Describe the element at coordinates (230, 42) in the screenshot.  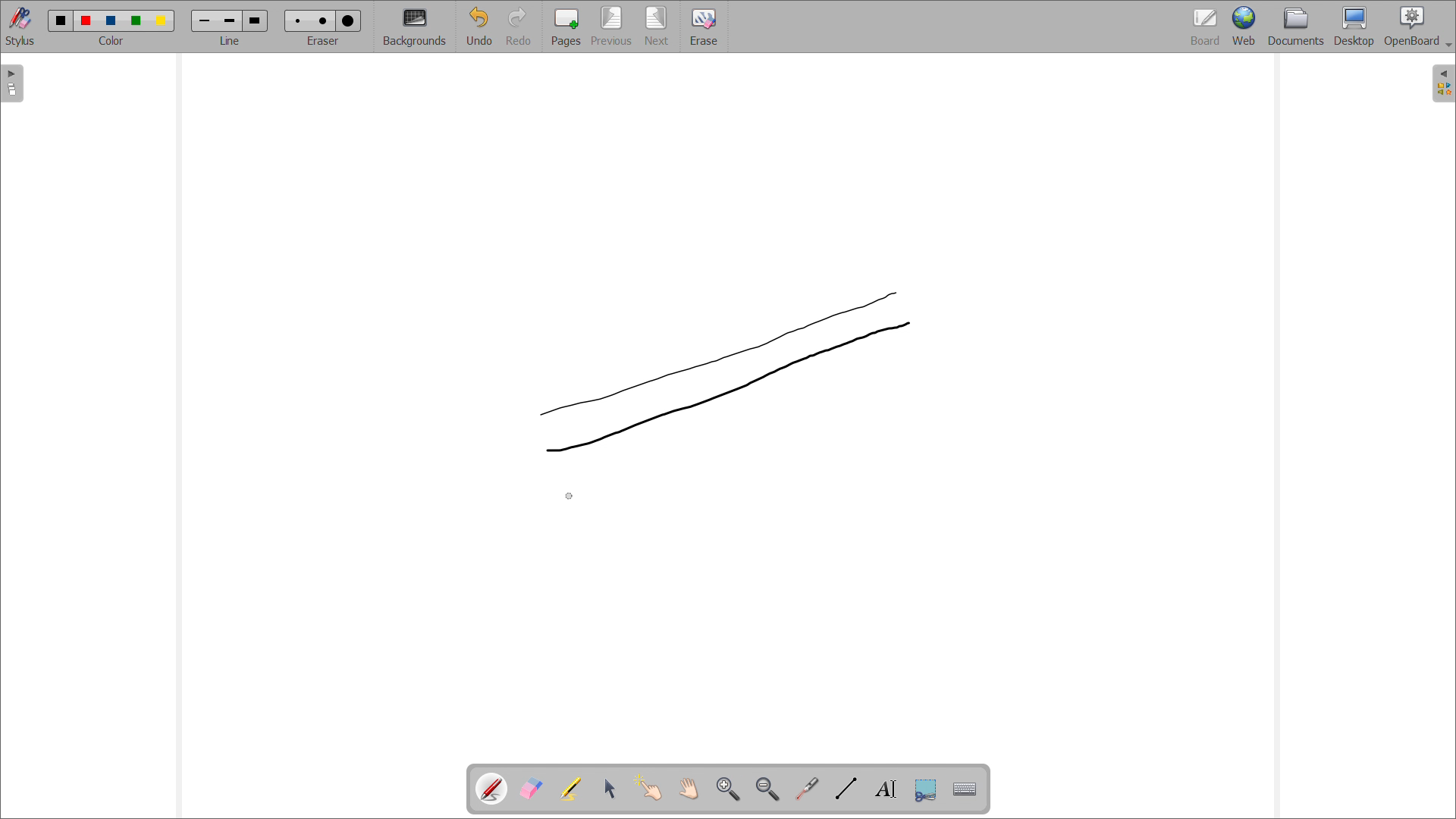
I see `select line width` at that location.